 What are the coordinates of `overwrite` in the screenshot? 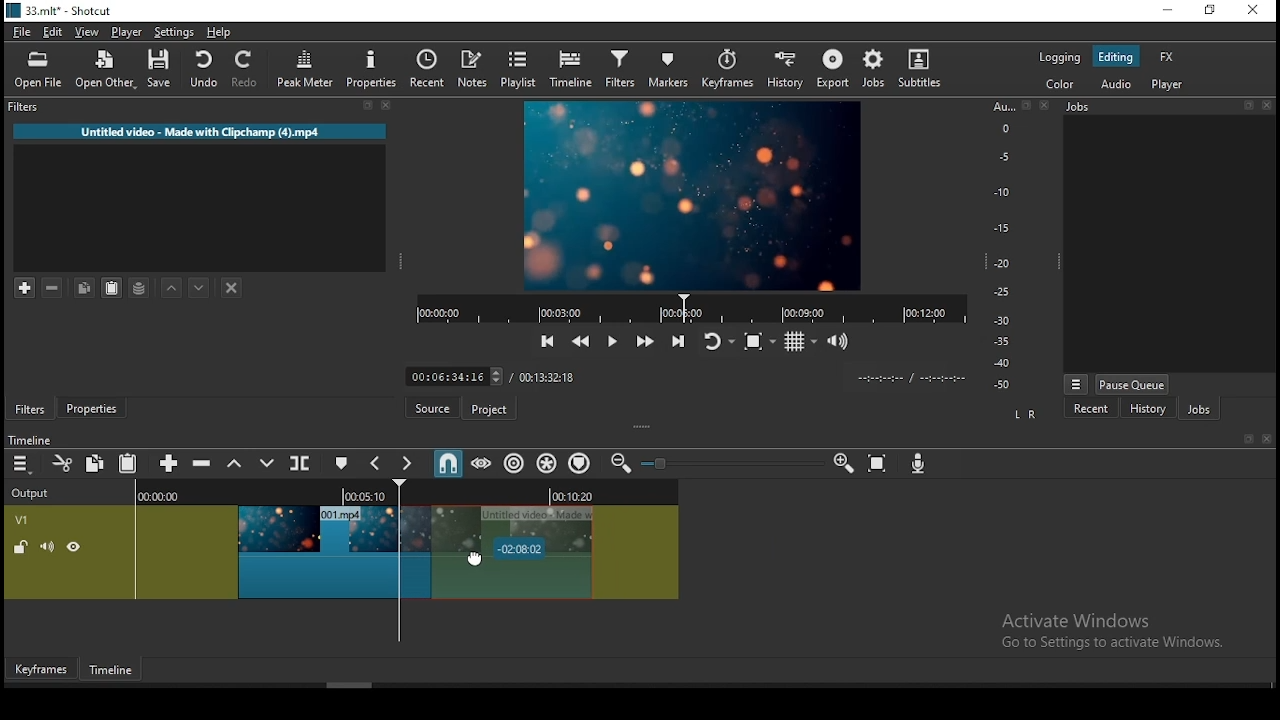 It's located at (267, 464).